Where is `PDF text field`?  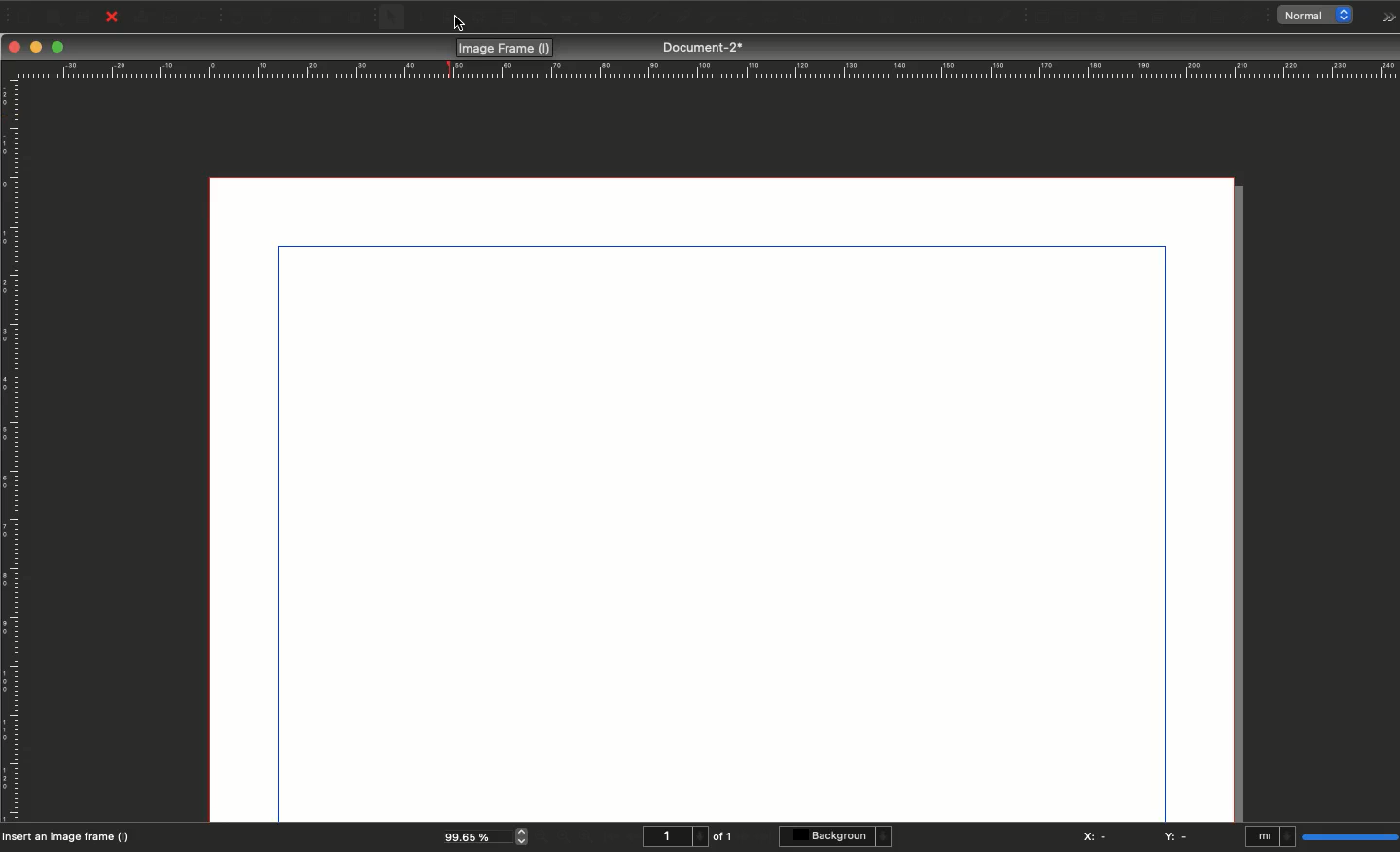 PDF text field is located at coordinates (1129, 18).